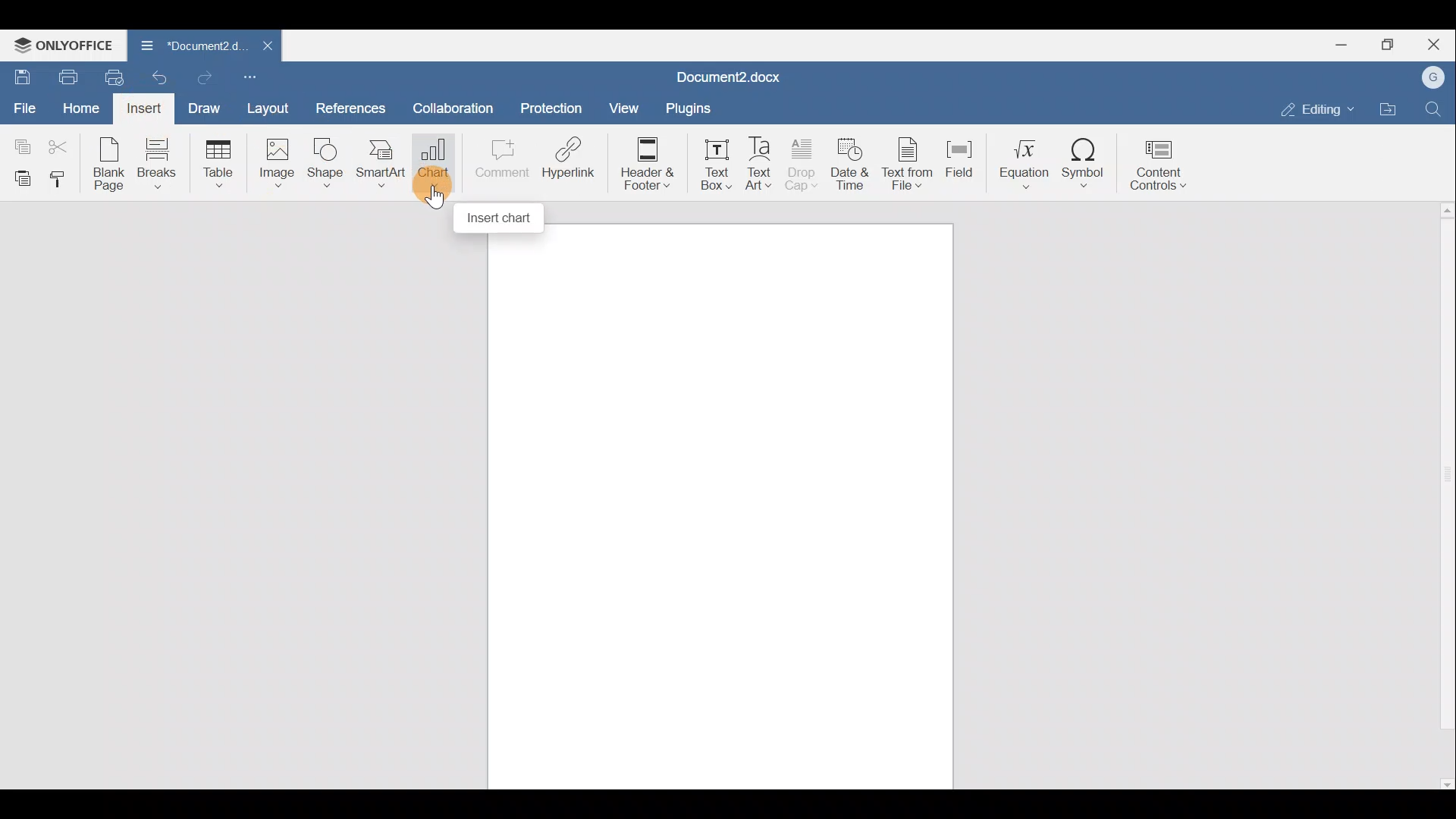 The image size is (1456, 819). Describe the element at coordinates (1088, 163) in the screenshot. I see `Symbol` at that location.